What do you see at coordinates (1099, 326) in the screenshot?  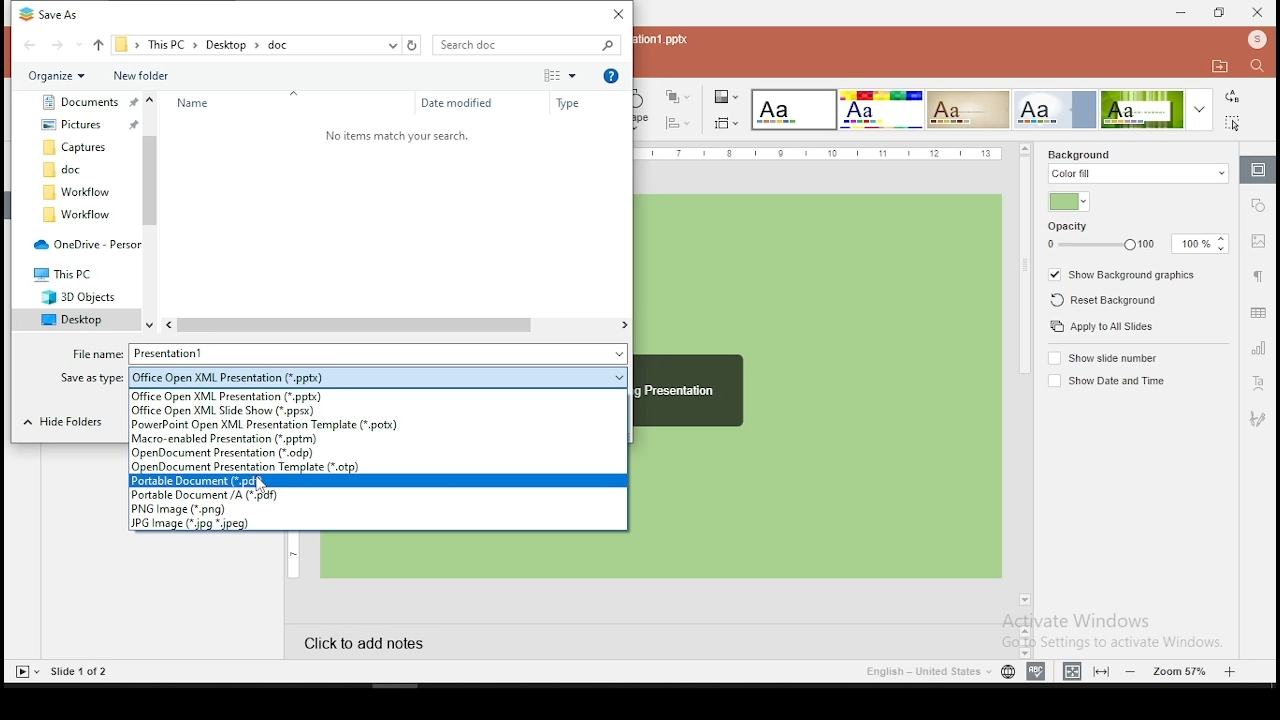 I see `apply to all slides` at bounding box center [1099, 326].